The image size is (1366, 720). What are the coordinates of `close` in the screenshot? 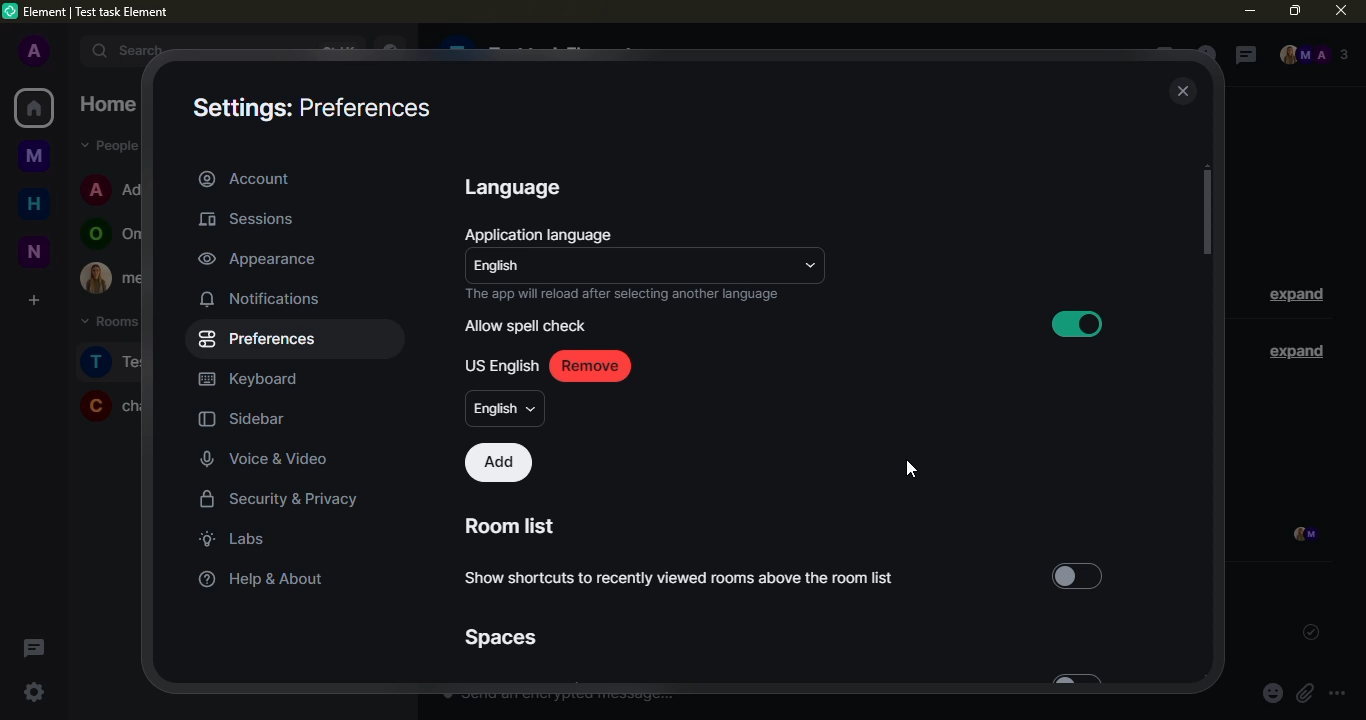 It's located at (1184, 92).